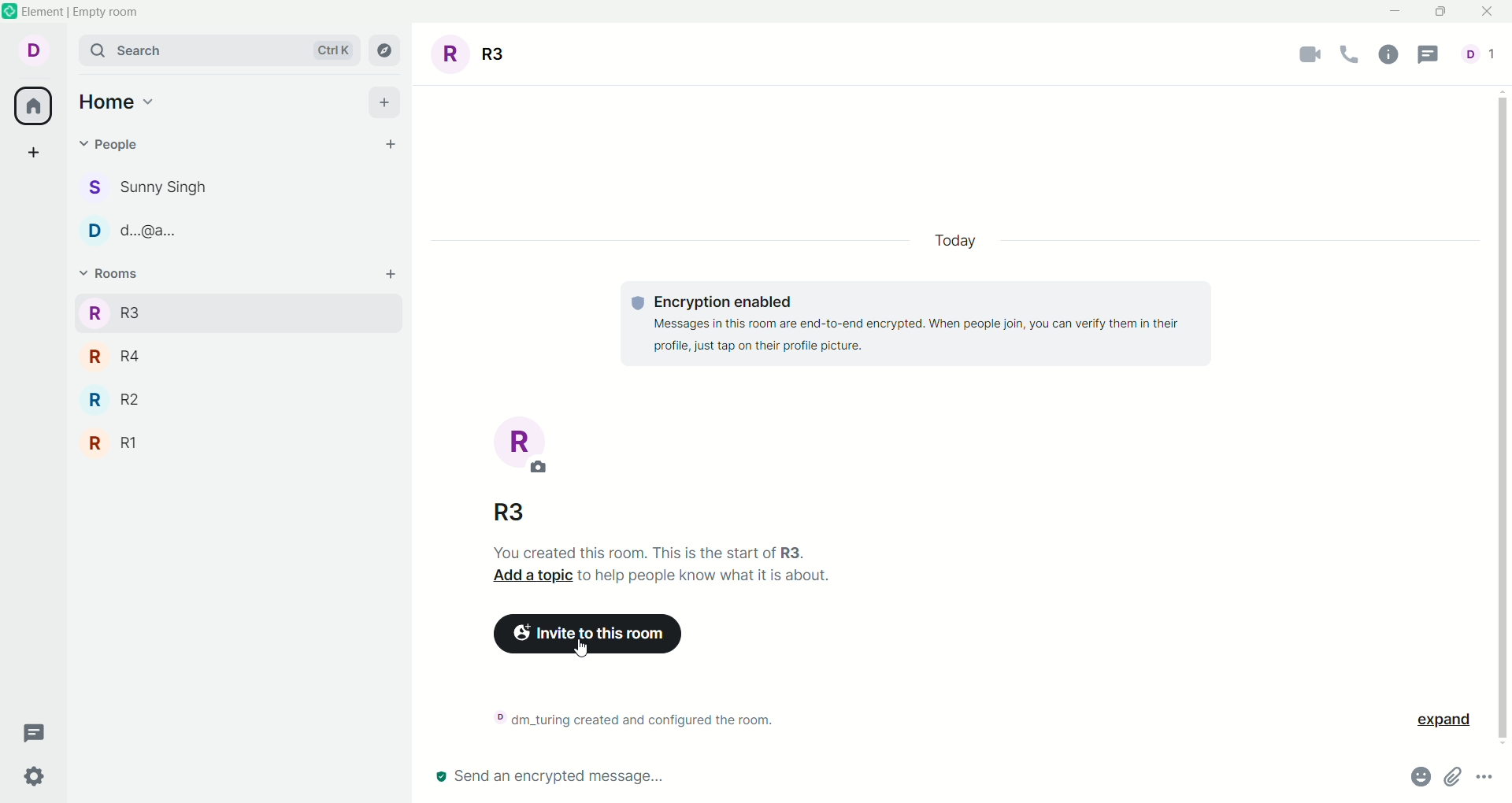 This screenshot has width=1512, height=803. What do you see at coordinates (473, 52) in the screenshot?
I see `Room name` at bounding box center [473, 52].